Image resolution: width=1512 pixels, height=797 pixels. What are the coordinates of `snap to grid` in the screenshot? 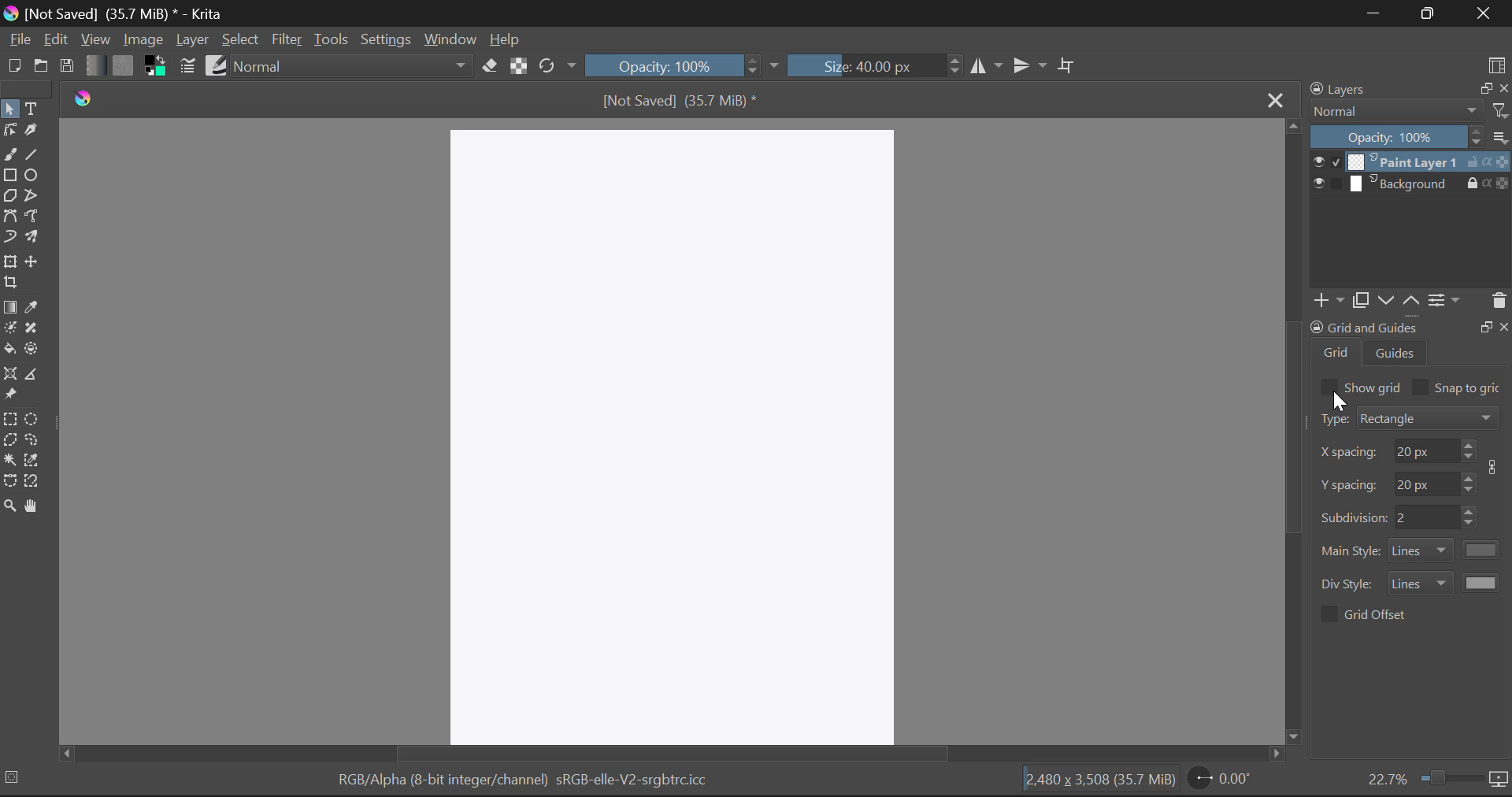 It's located at (1469, 389).